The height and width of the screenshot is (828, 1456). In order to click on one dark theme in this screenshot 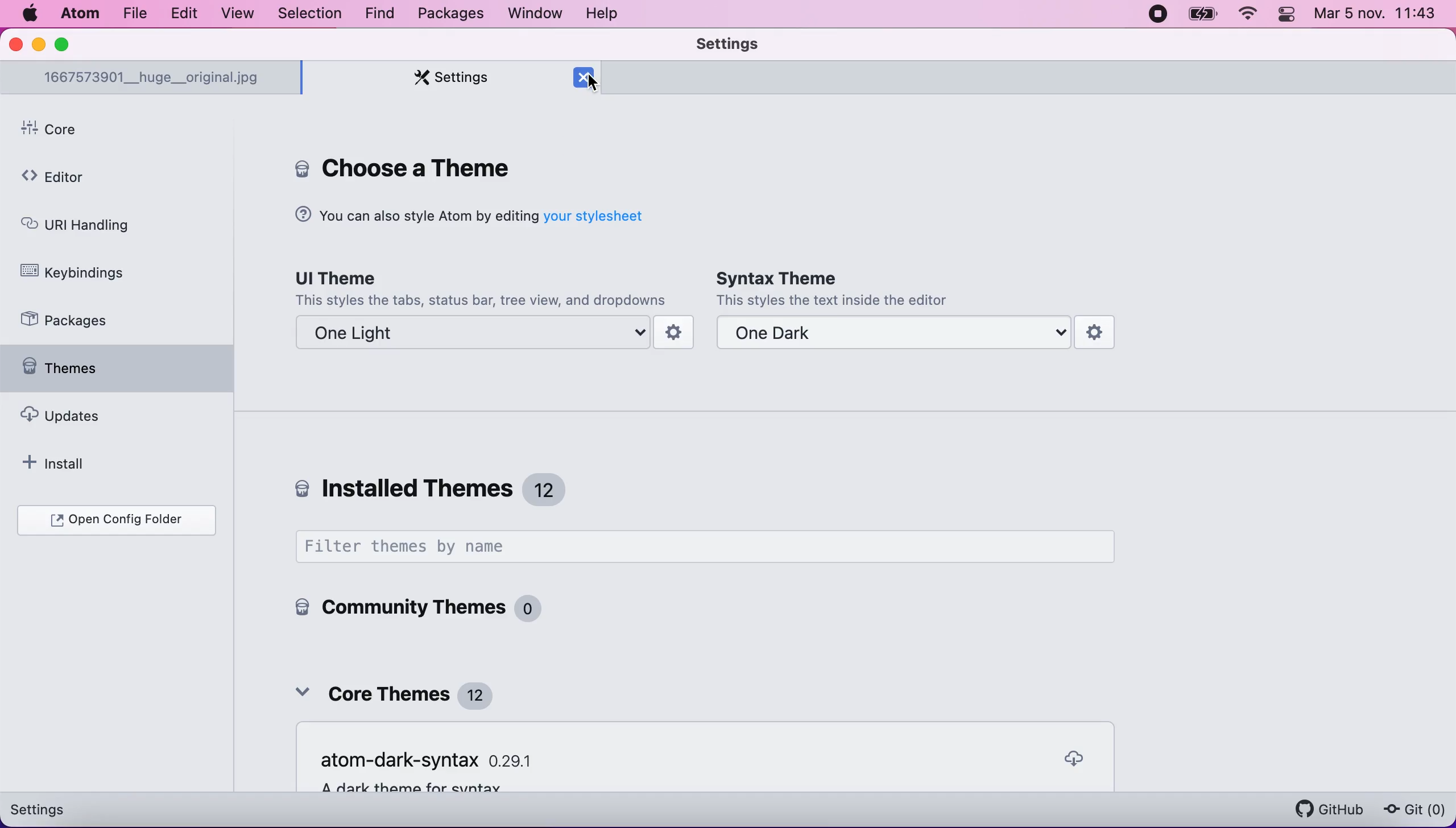, I will do `click(913, 334)`.